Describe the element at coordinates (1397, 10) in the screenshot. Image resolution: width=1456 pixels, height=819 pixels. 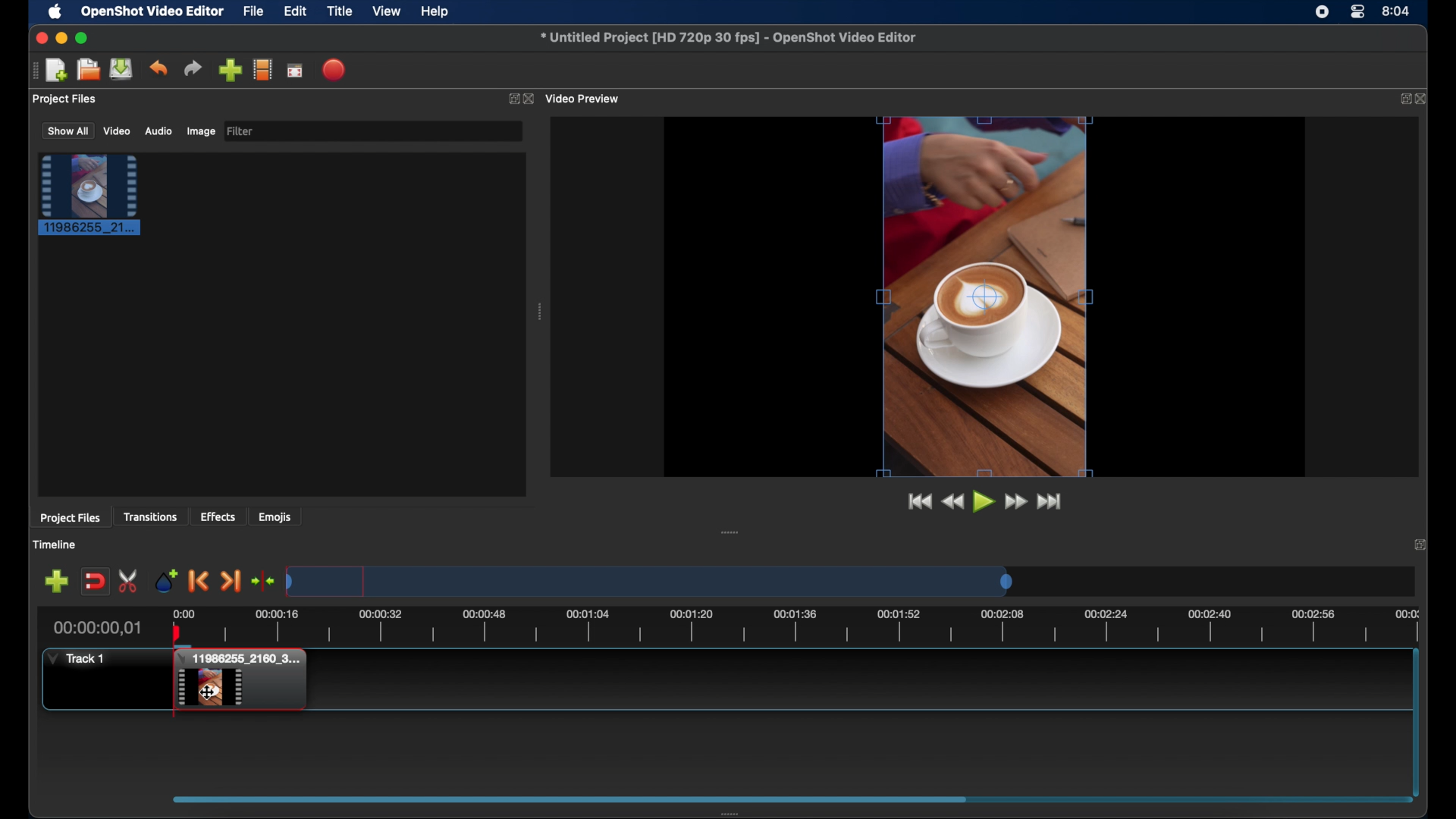
I see `time` at that location.